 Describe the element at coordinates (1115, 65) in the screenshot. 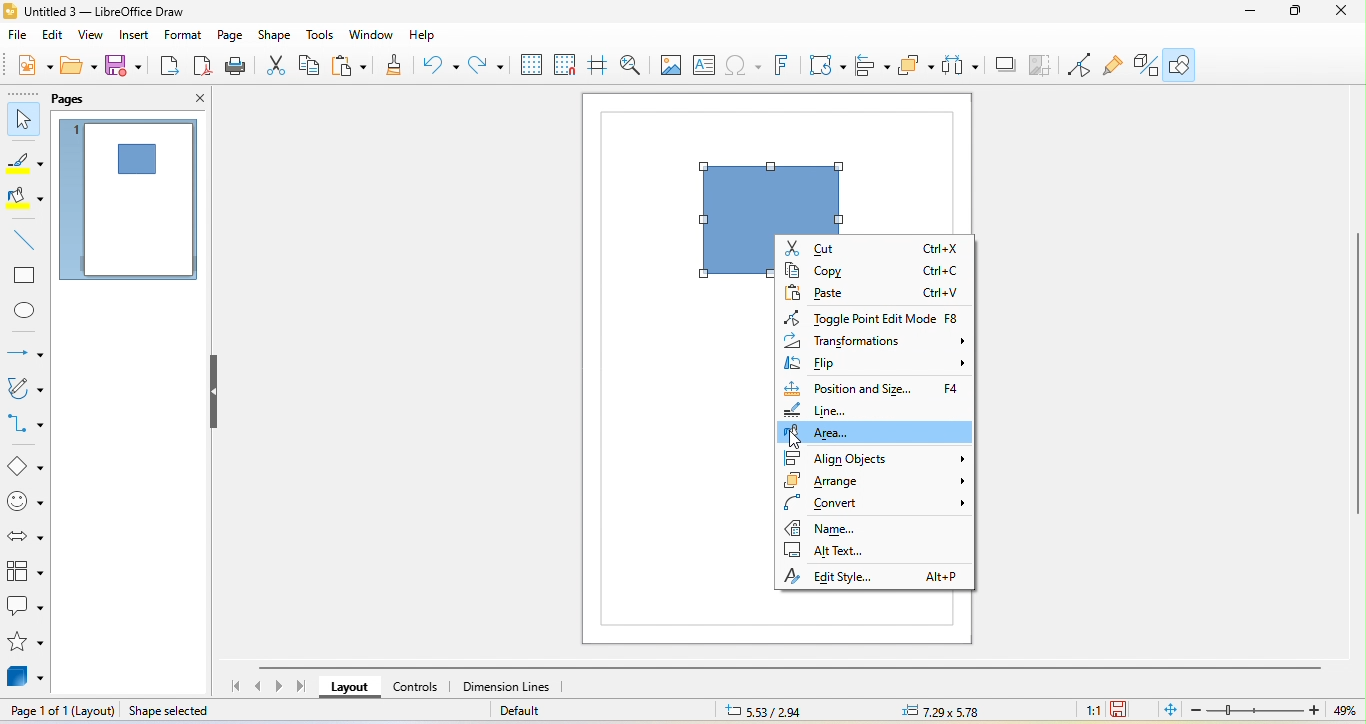

I see `gluepoint function` at that location.